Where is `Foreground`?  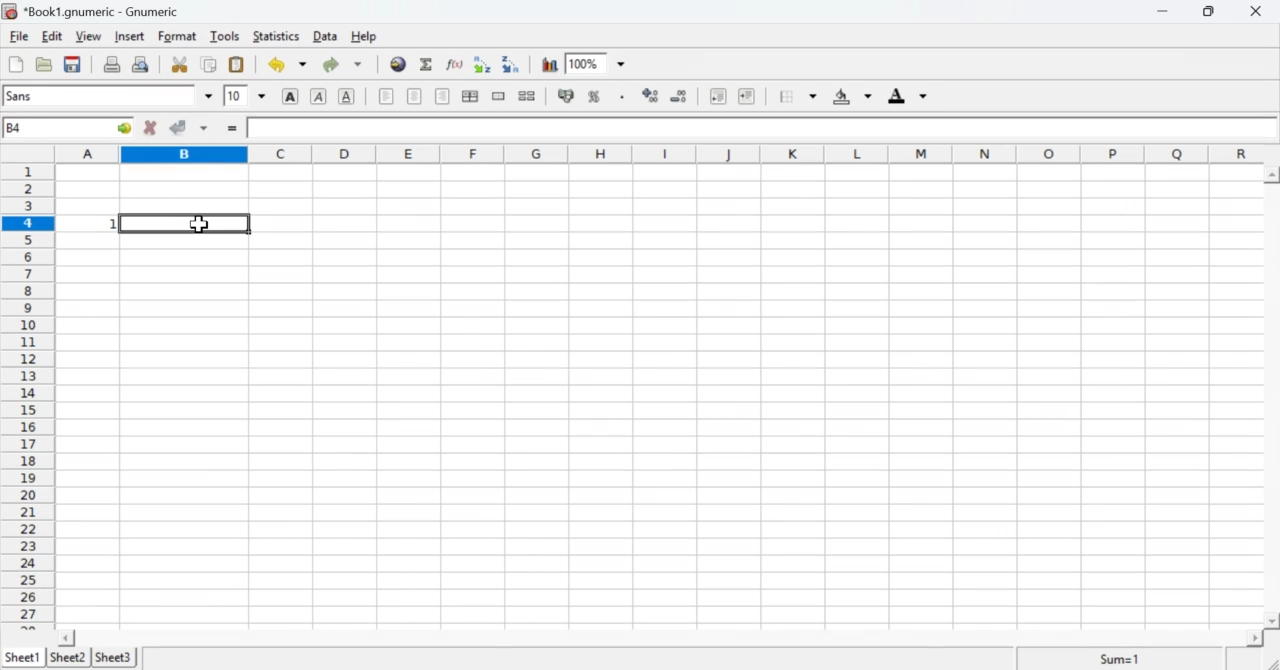
Foreground is located at coordinates (911, 96).